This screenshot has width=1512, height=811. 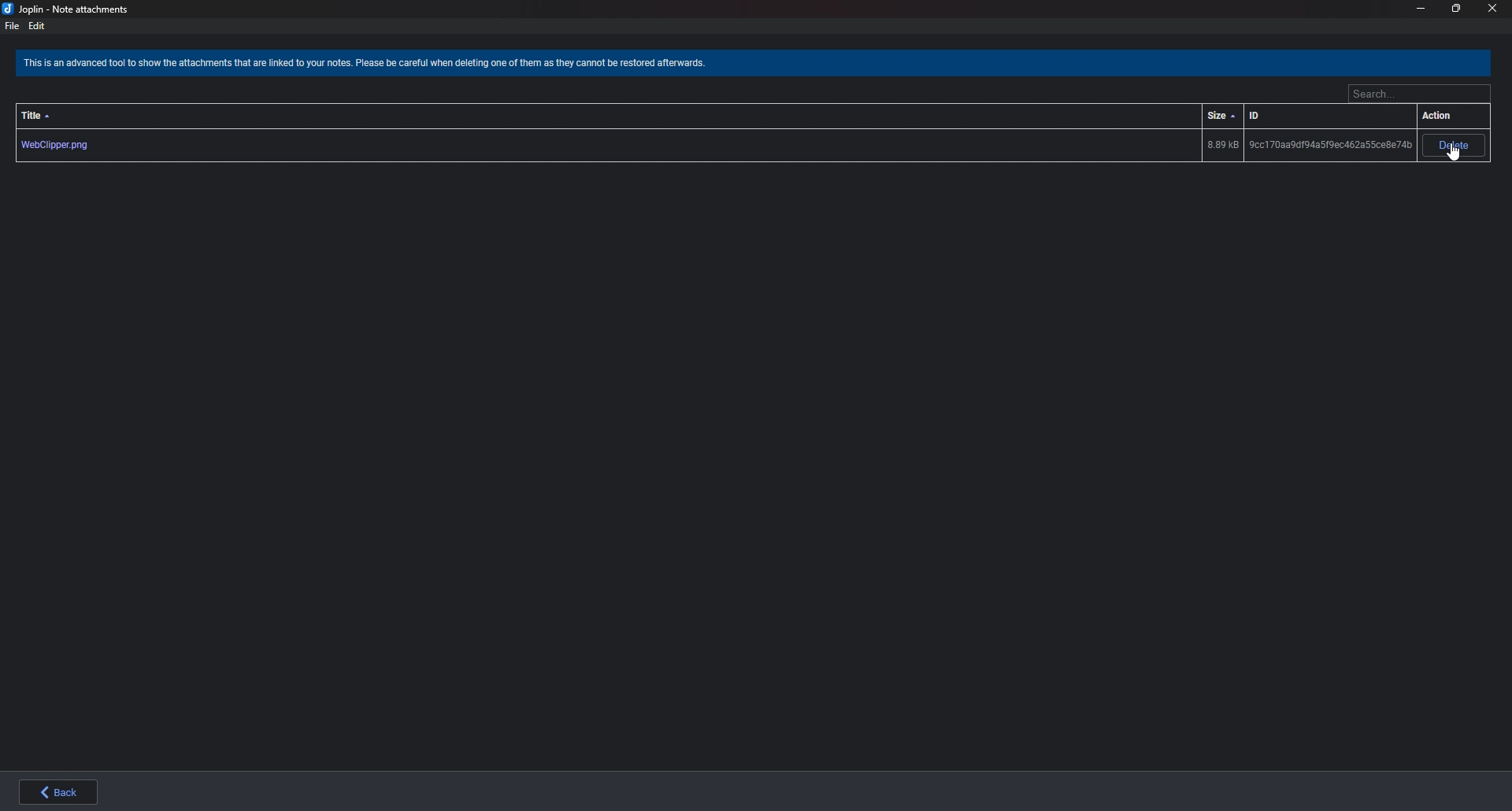 What do you see at coordinates (13, 25) in the screenshot?
I see `file` at bounding box center [13, 25].